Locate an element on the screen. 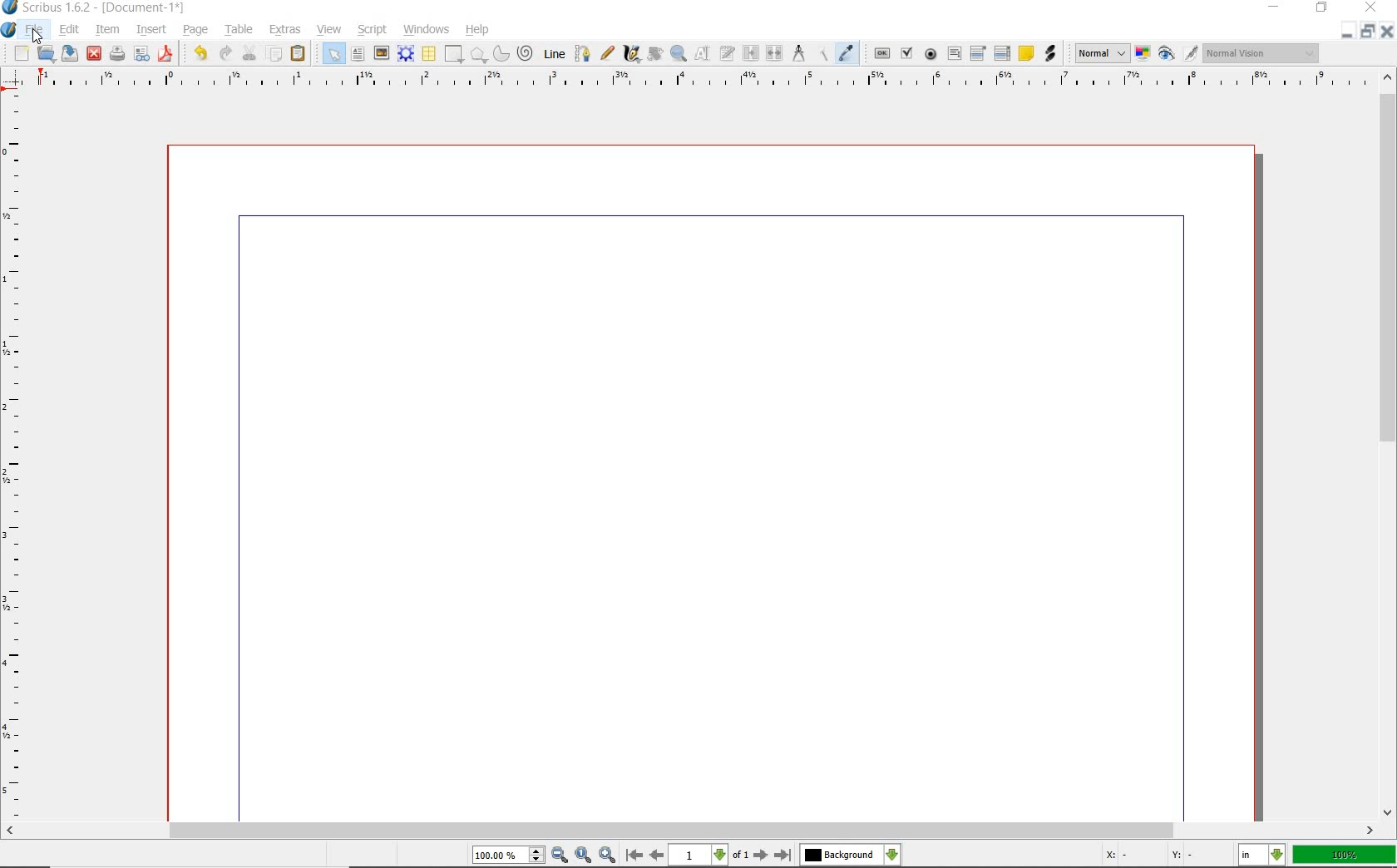  close is located at coordinates (1387, 31).